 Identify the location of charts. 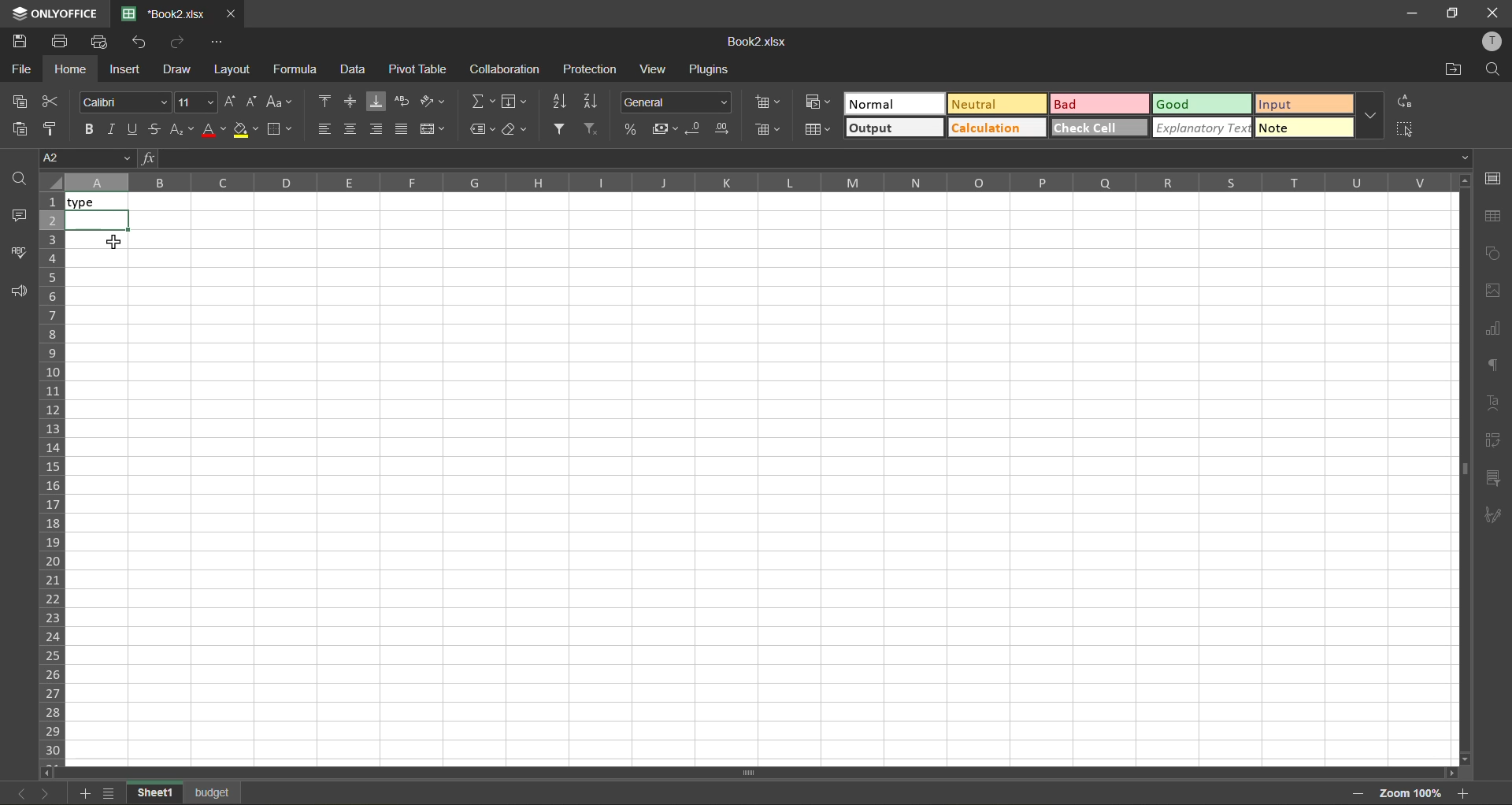
(1493, 330).